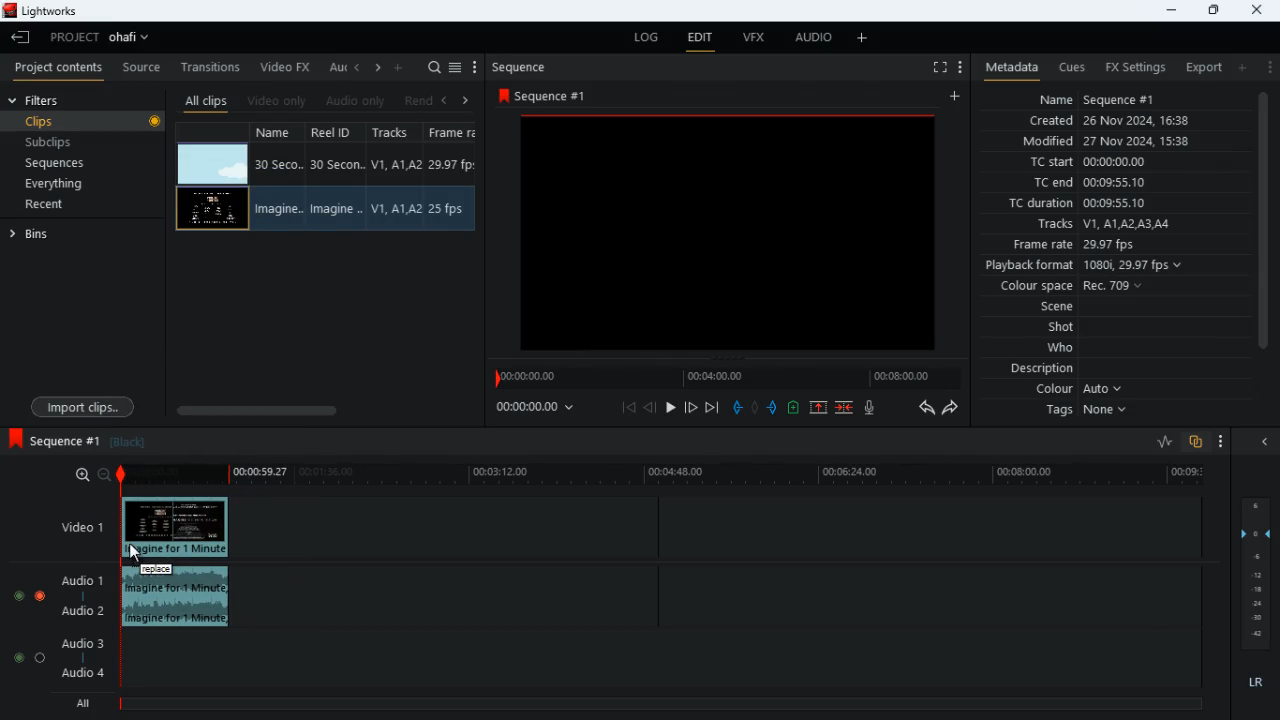 This screenshot has height=720, width=1280. Describe the element at coordinates (359, 65) in the screenshot. I see `left` at that location.